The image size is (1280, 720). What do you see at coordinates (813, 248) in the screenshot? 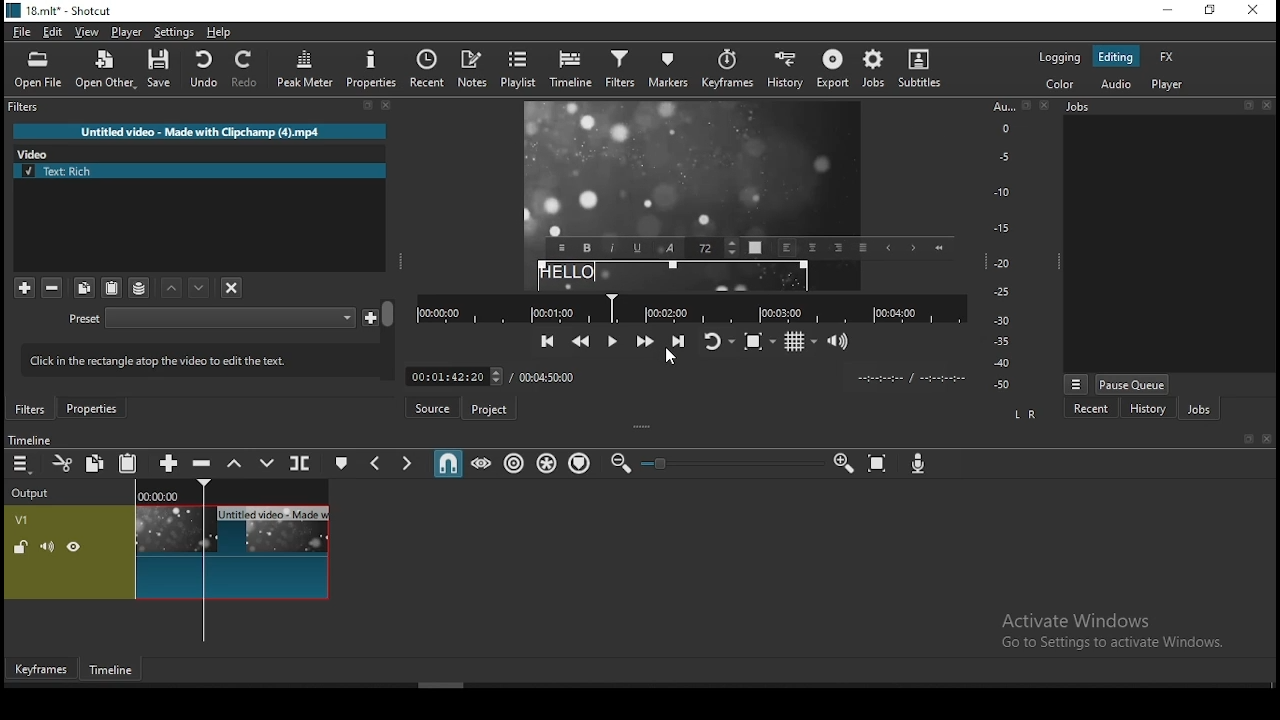
I see `Center Align` at bounding box center [813, 248].